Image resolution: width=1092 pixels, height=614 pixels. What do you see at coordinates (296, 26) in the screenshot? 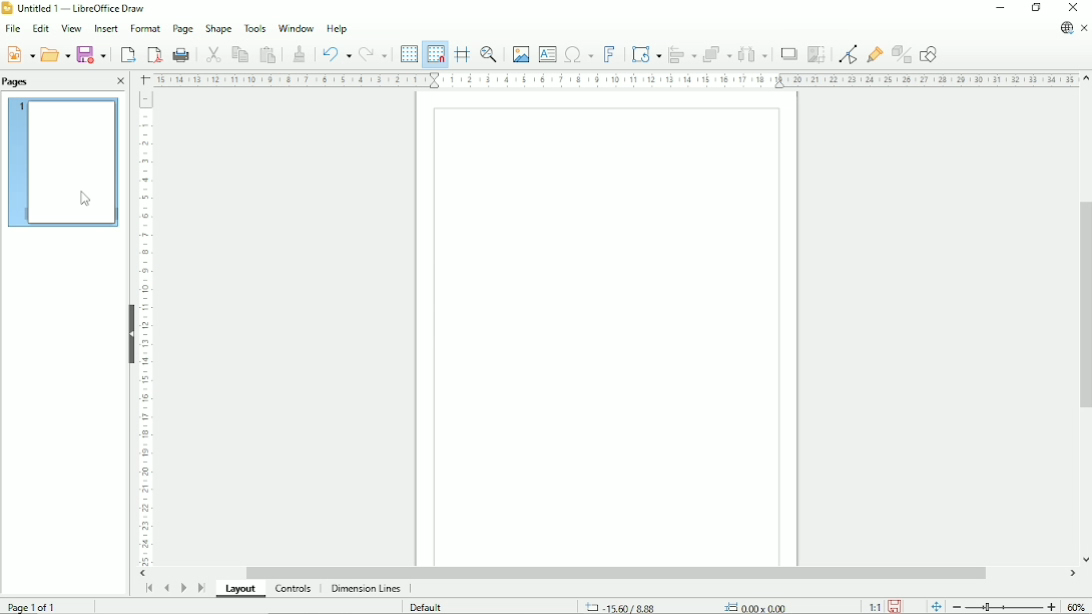
I see `Window` at bounding box center [296, 26].